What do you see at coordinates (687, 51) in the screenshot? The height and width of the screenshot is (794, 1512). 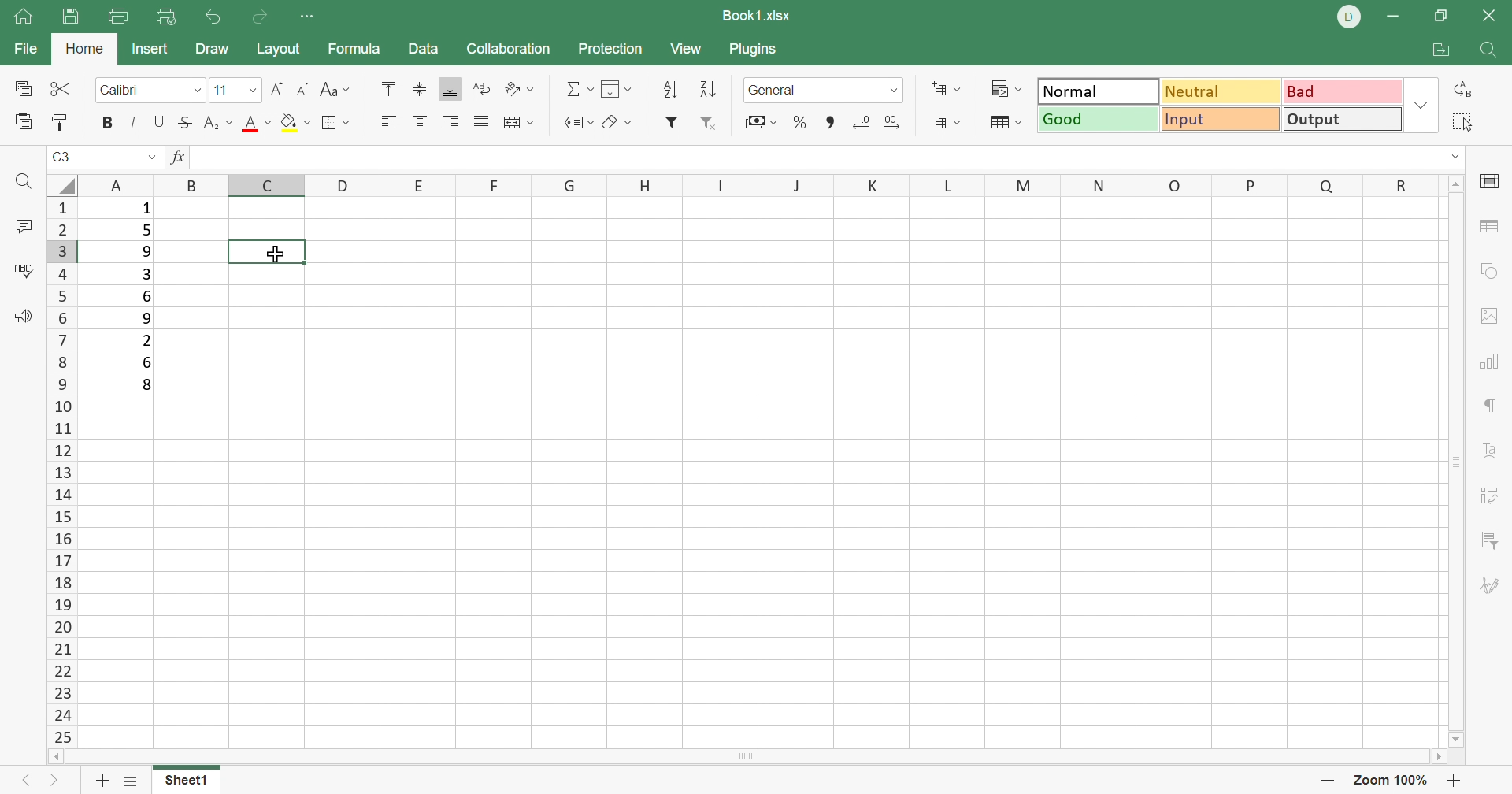 I see `View` at bounding box center [687, 51].